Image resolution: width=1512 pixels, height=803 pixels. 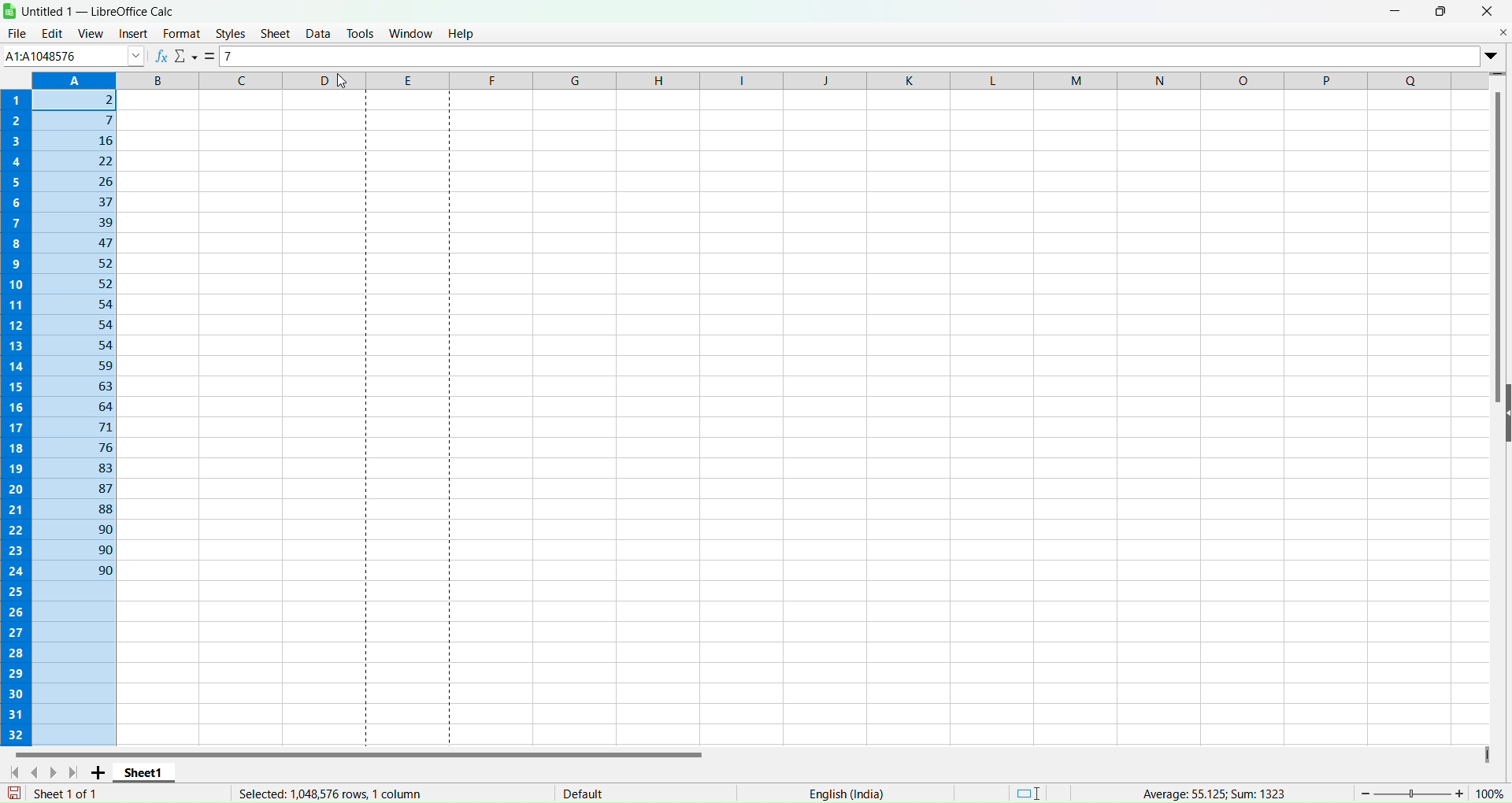 What do you see at coordinates (57, 772) in the screenshot?
I see `Next` at bounding box center [57, 772].